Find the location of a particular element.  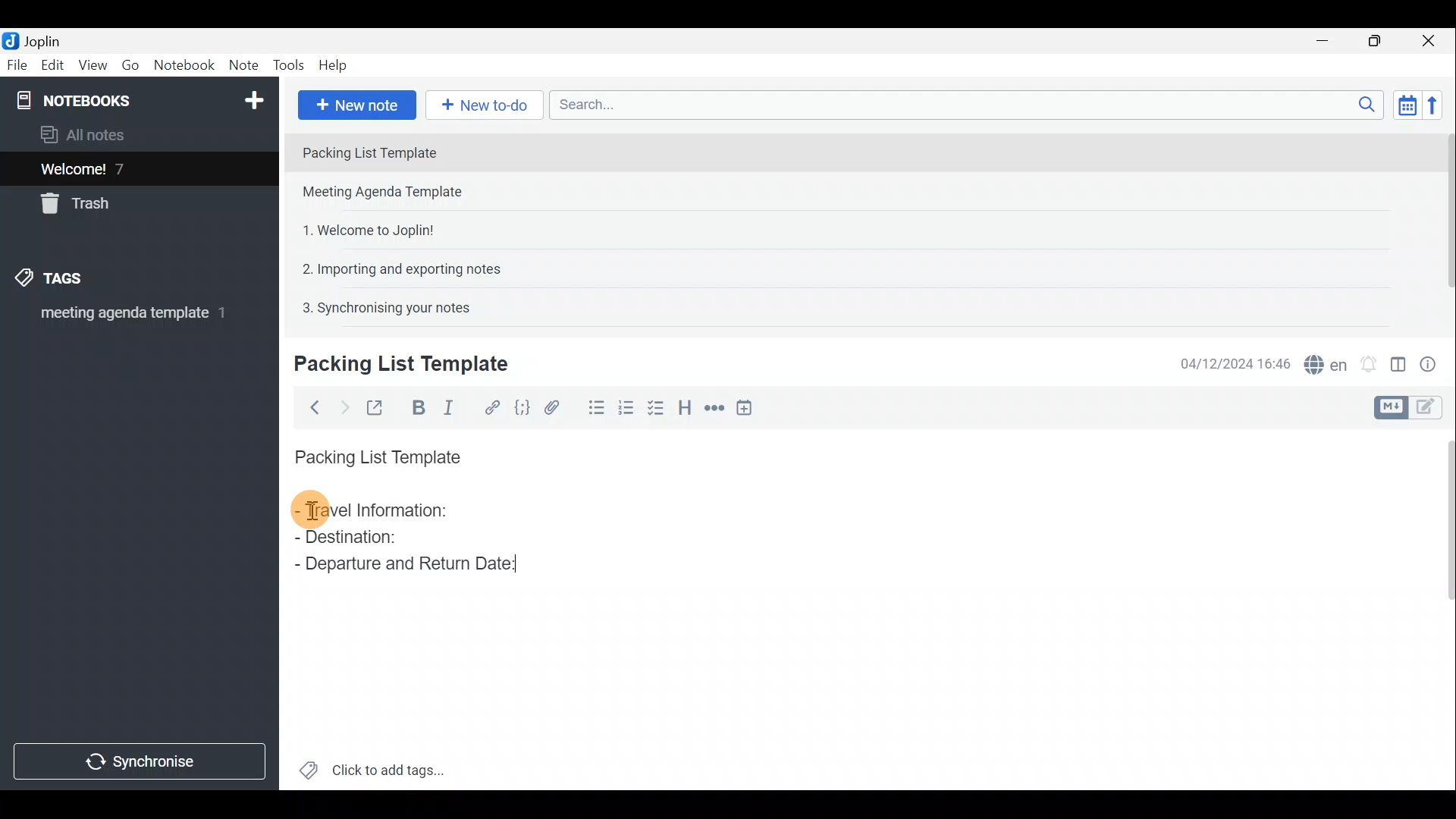

Date & time is located at coordinates (1235, 362).